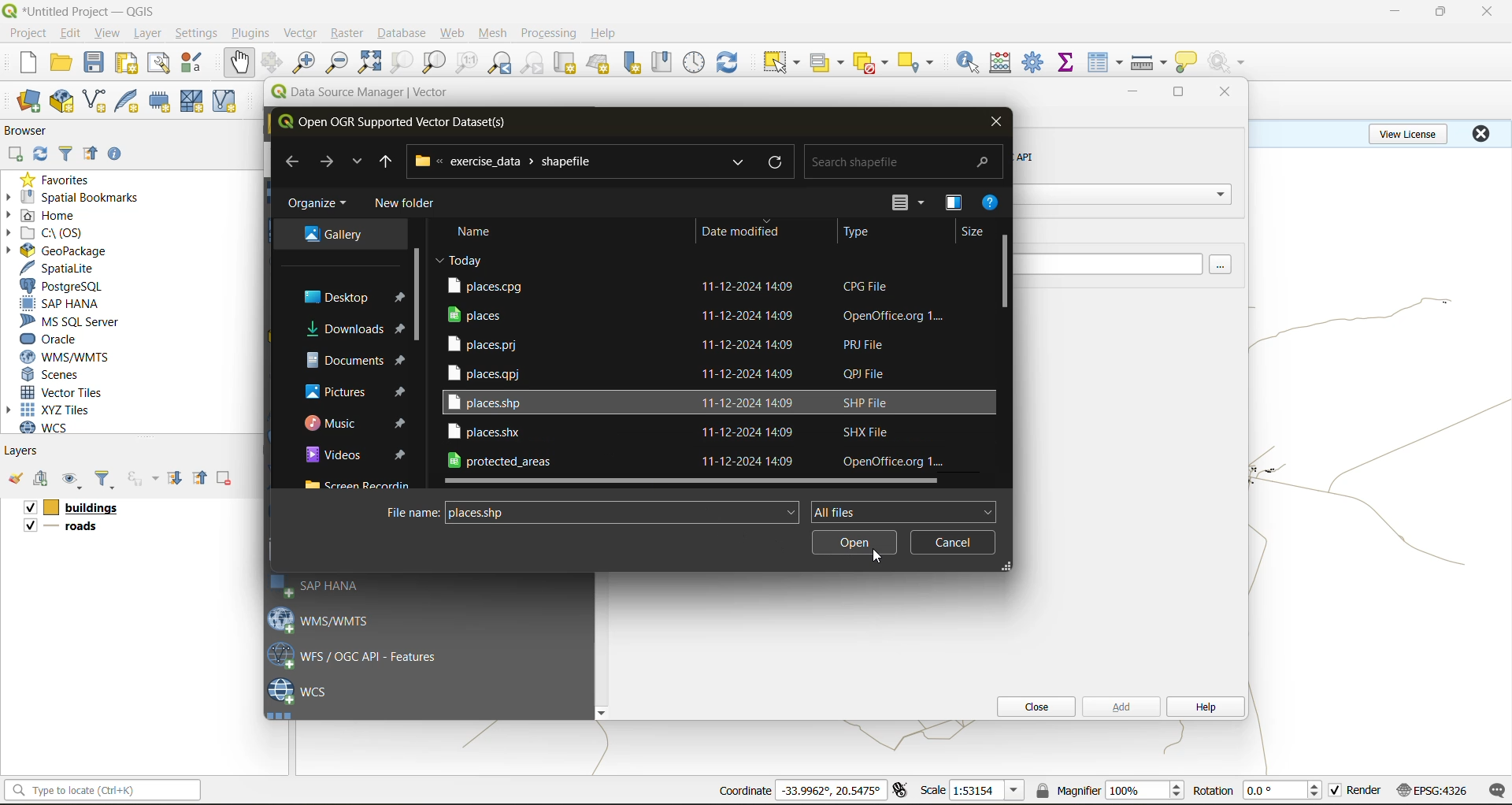 The image size is (1512, 805). I want to click on new spatial bookmark, so click(633, 63).